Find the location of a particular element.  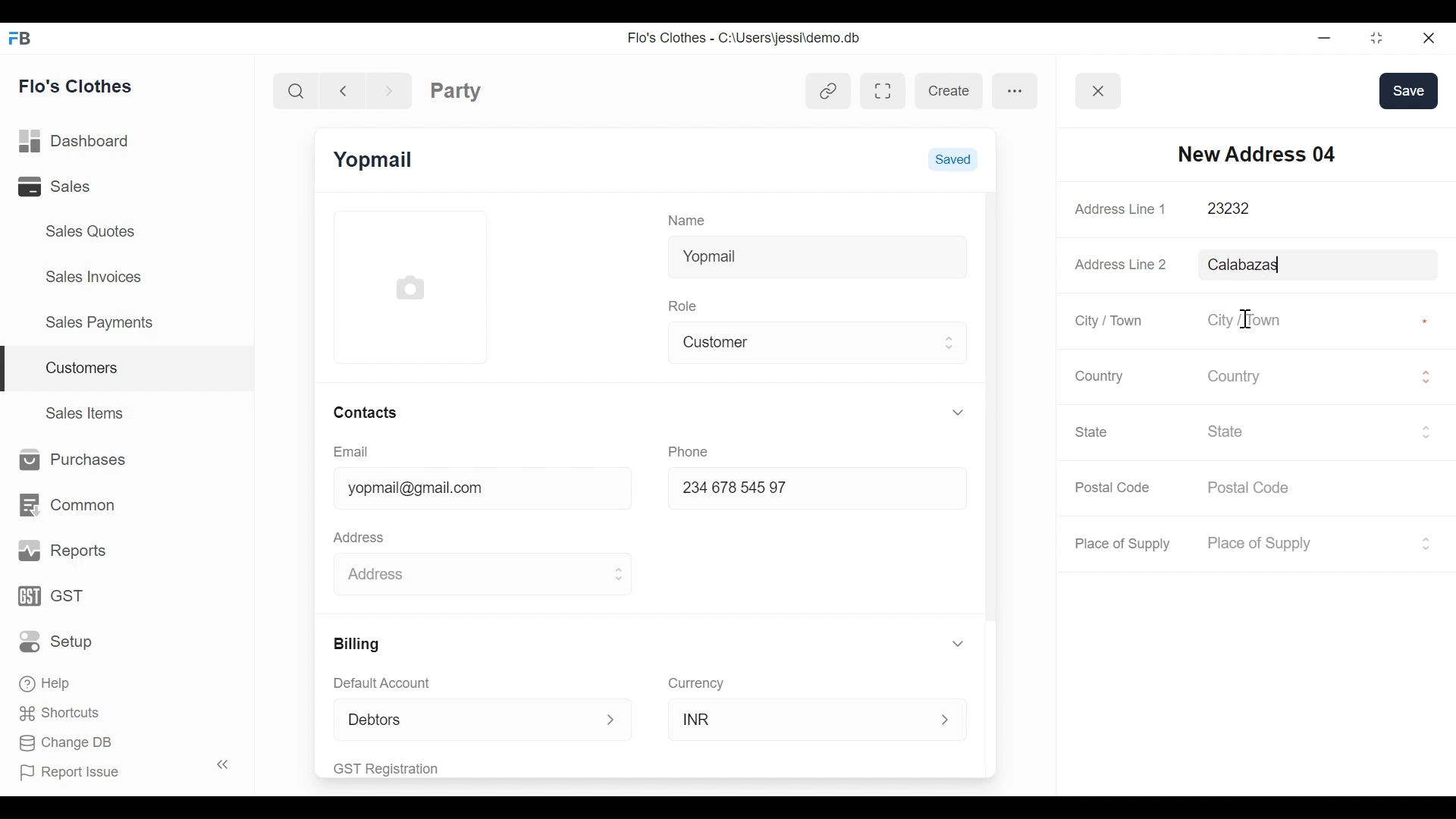

Restore is located at coordinates (1372, 38).